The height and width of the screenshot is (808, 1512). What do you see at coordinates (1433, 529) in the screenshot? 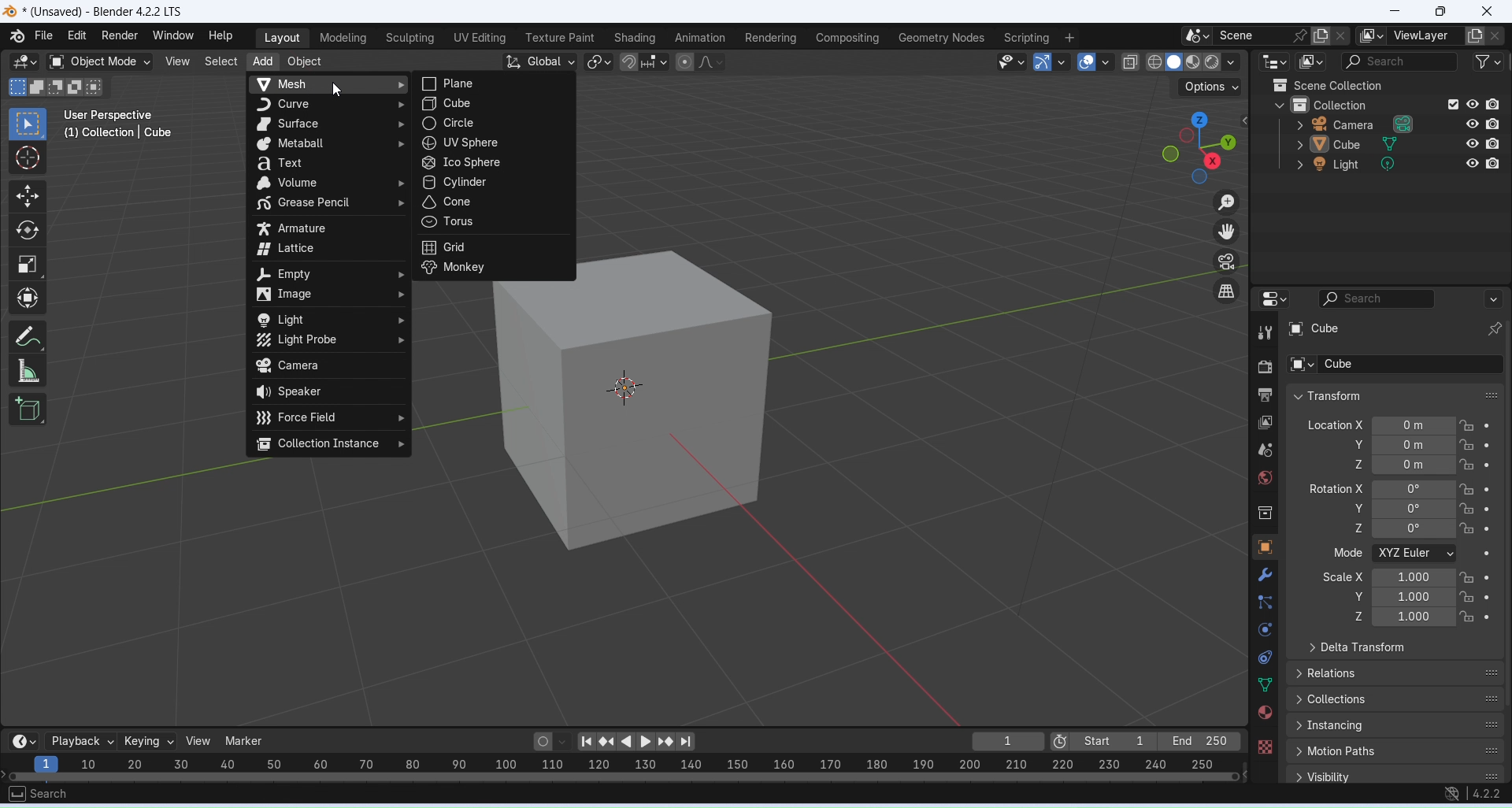
I see `Rotation Z` at bounding box center [1433, 529].